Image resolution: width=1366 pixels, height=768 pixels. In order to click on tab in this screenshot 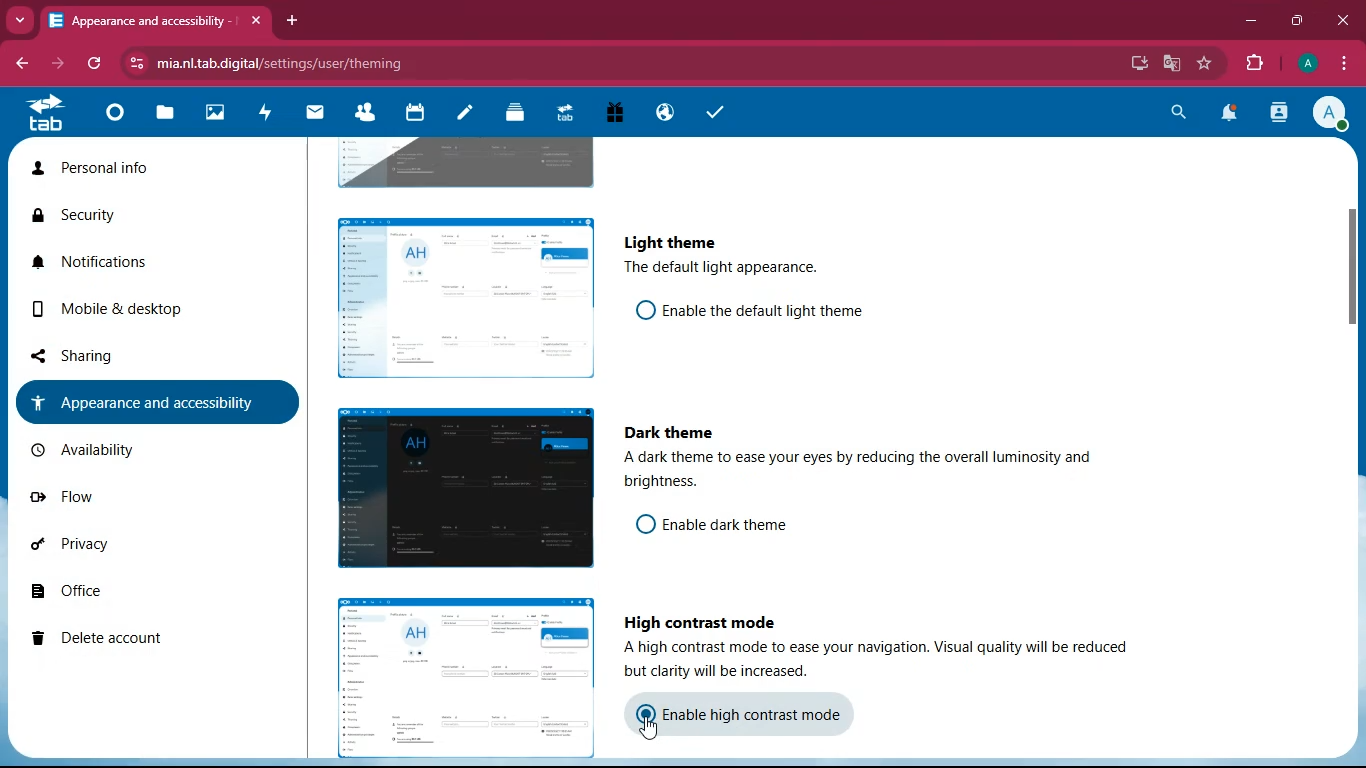, I will do `click(561, 112)`.